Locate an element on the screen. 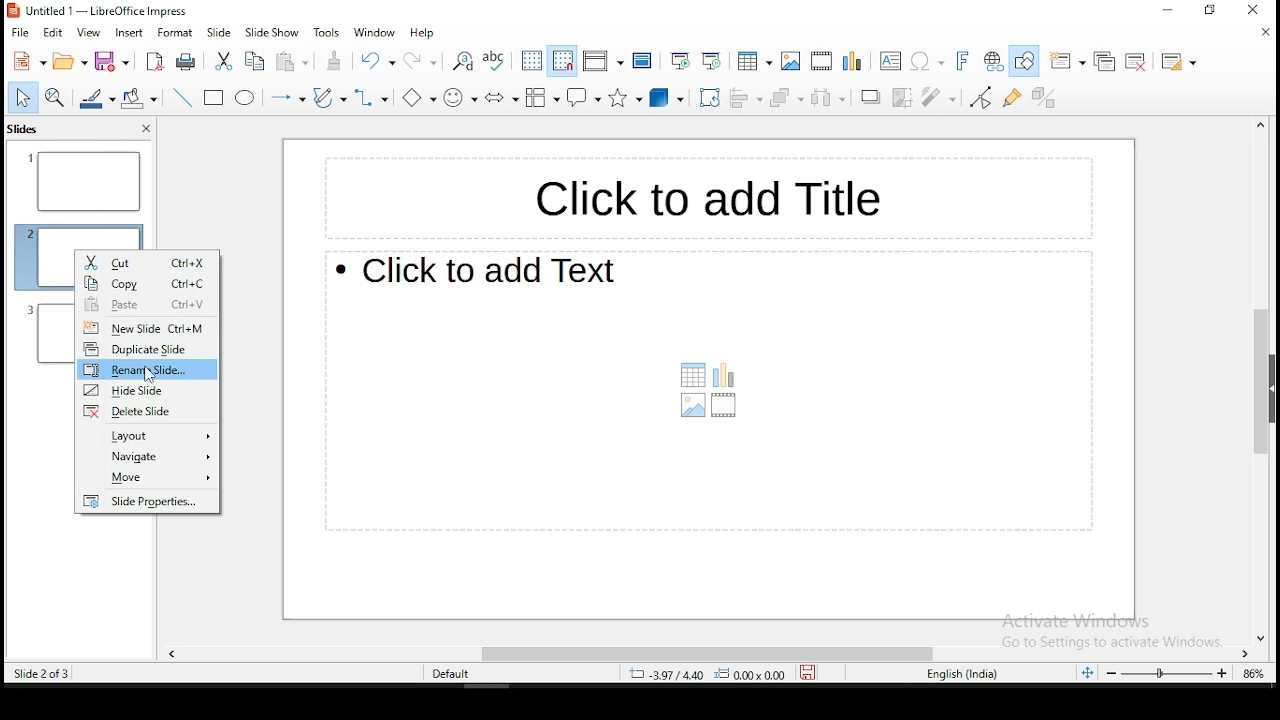 Image resolution: width=1280 pixels, height=720 pixels. rotate is located at coordinates (709, 99).